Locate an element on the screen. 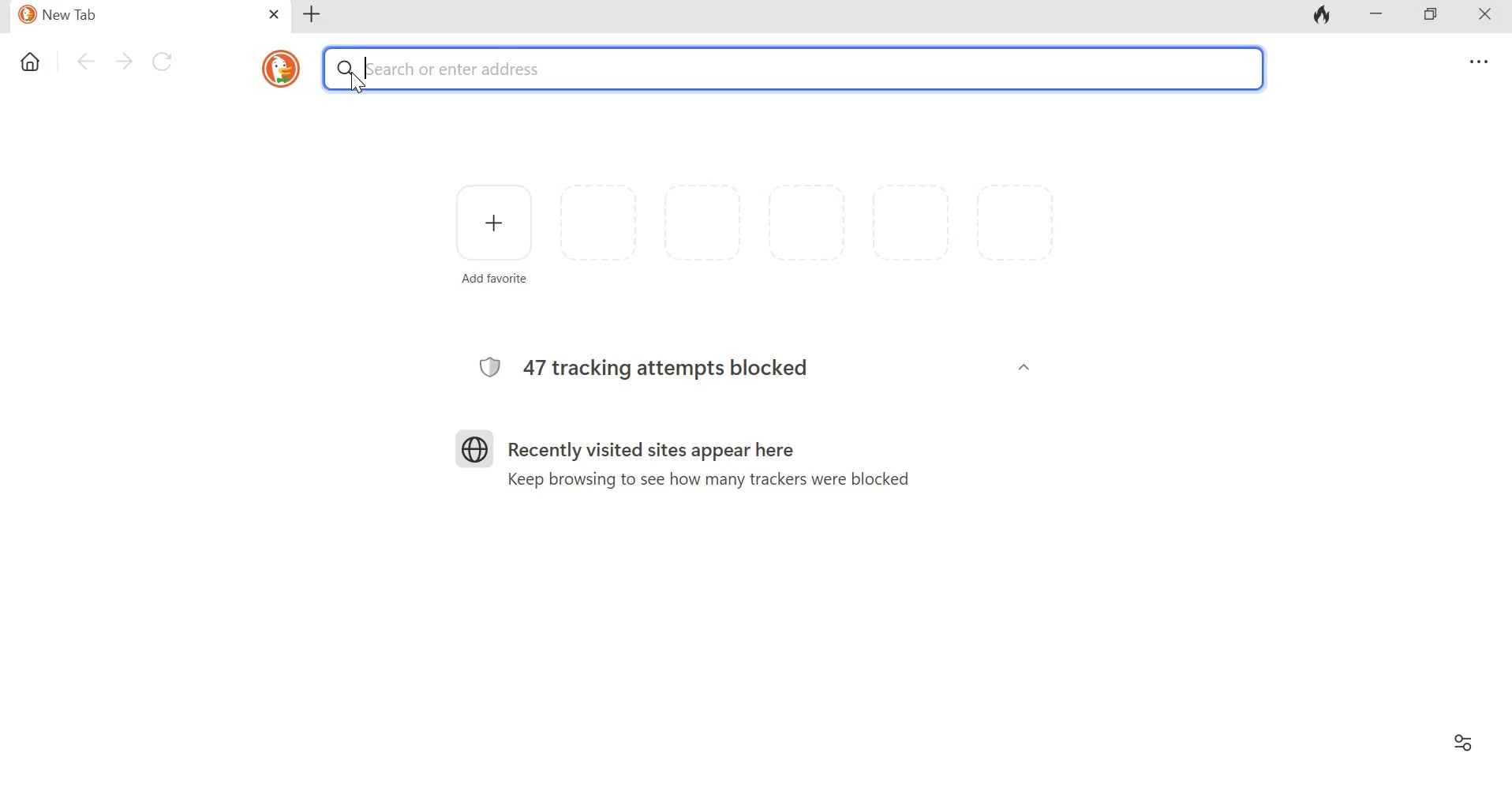 Image resolution: width=1512 pixels, height=791 pixels. Search or enter address is located at coordinates (791, 67).